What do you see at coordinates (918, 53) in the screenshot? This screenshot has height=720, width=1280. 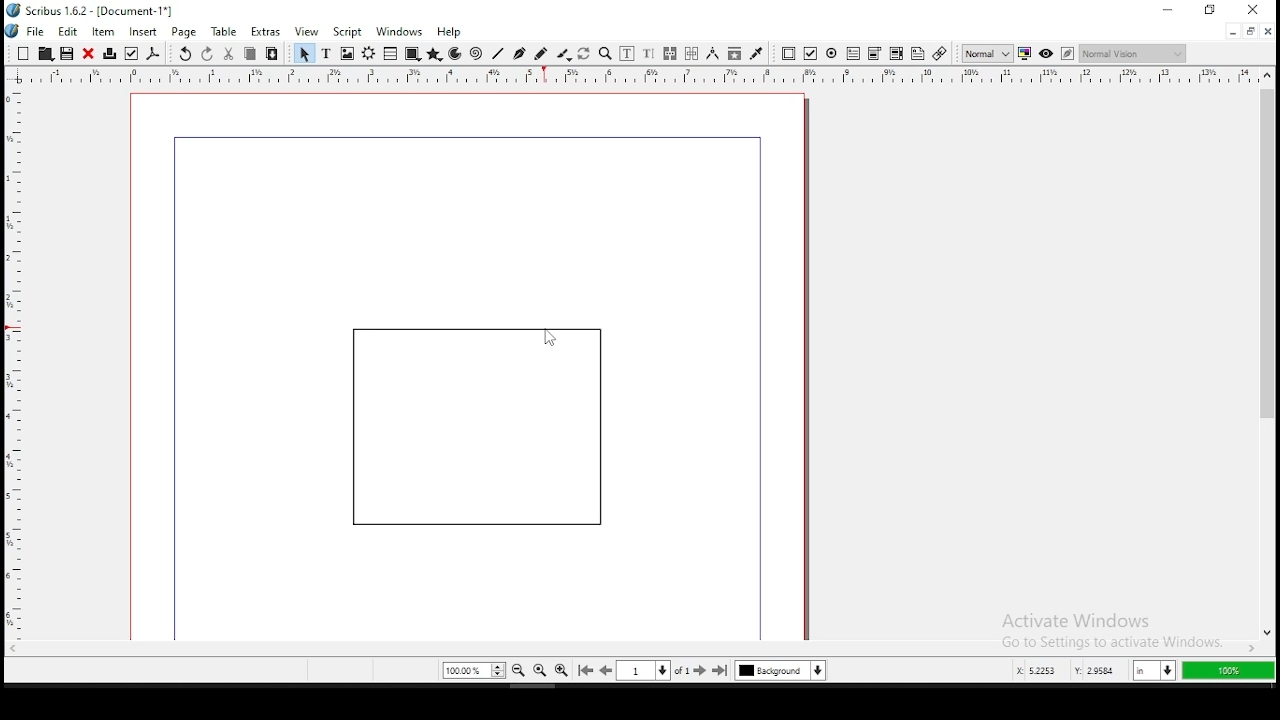 I see `text annotation` at bounding box center [918, 53].